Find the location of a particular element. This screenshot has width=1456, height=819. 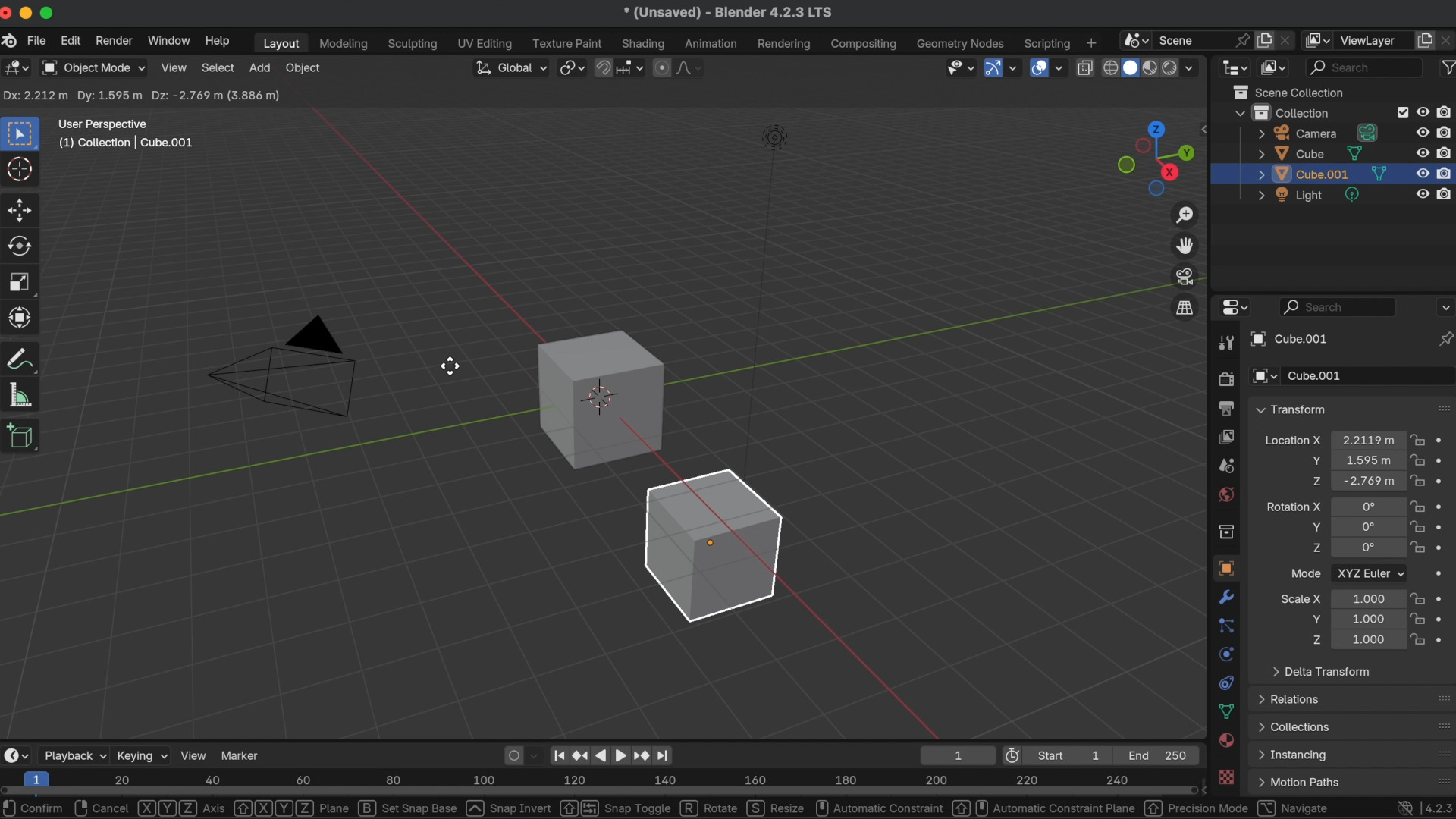

jumpt to keyframe is located at coordinates (641, 755).